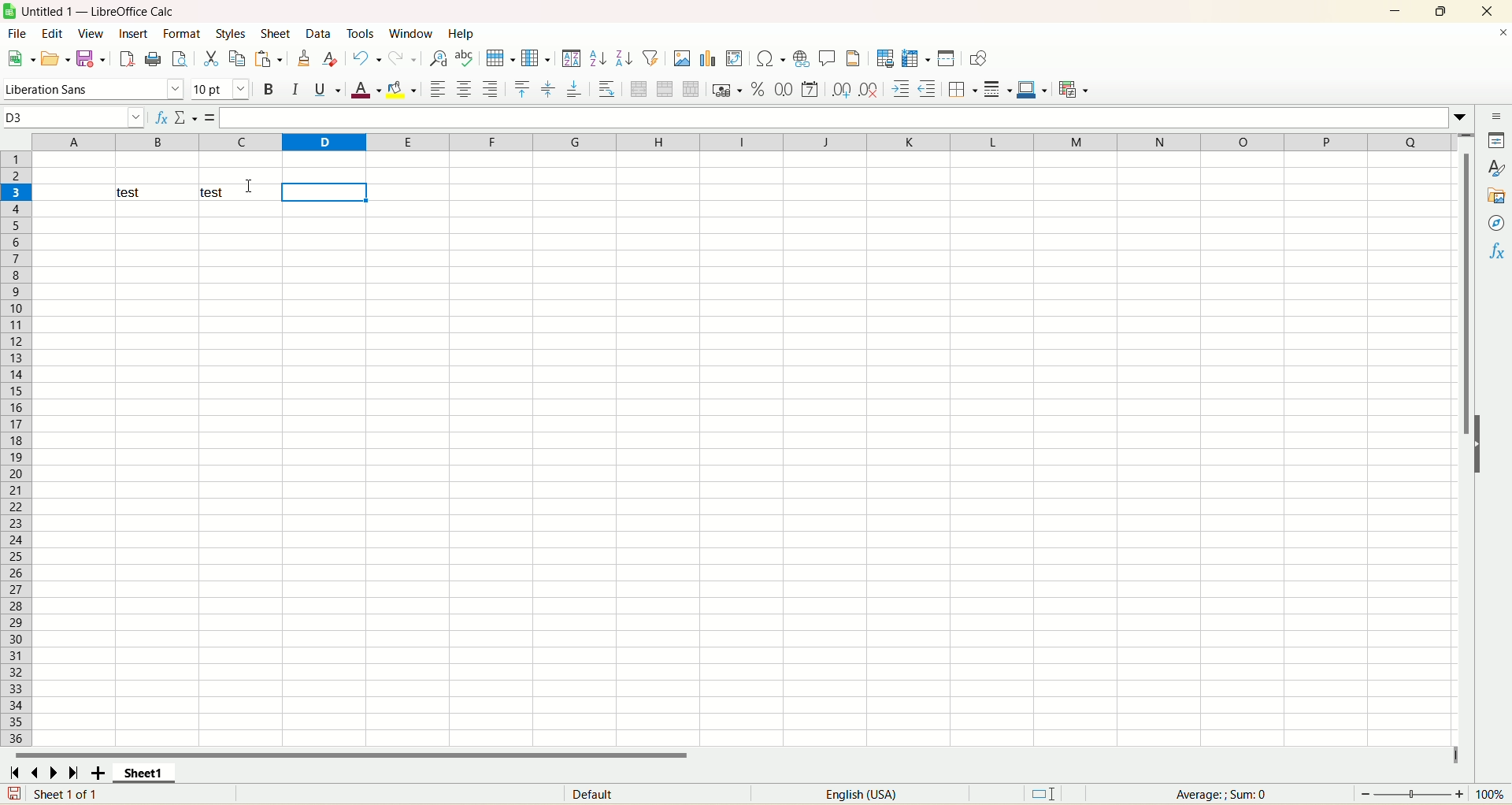  Describe the element at coordinates (249, 186) in the screenshot. I see `Cursor` at that location.